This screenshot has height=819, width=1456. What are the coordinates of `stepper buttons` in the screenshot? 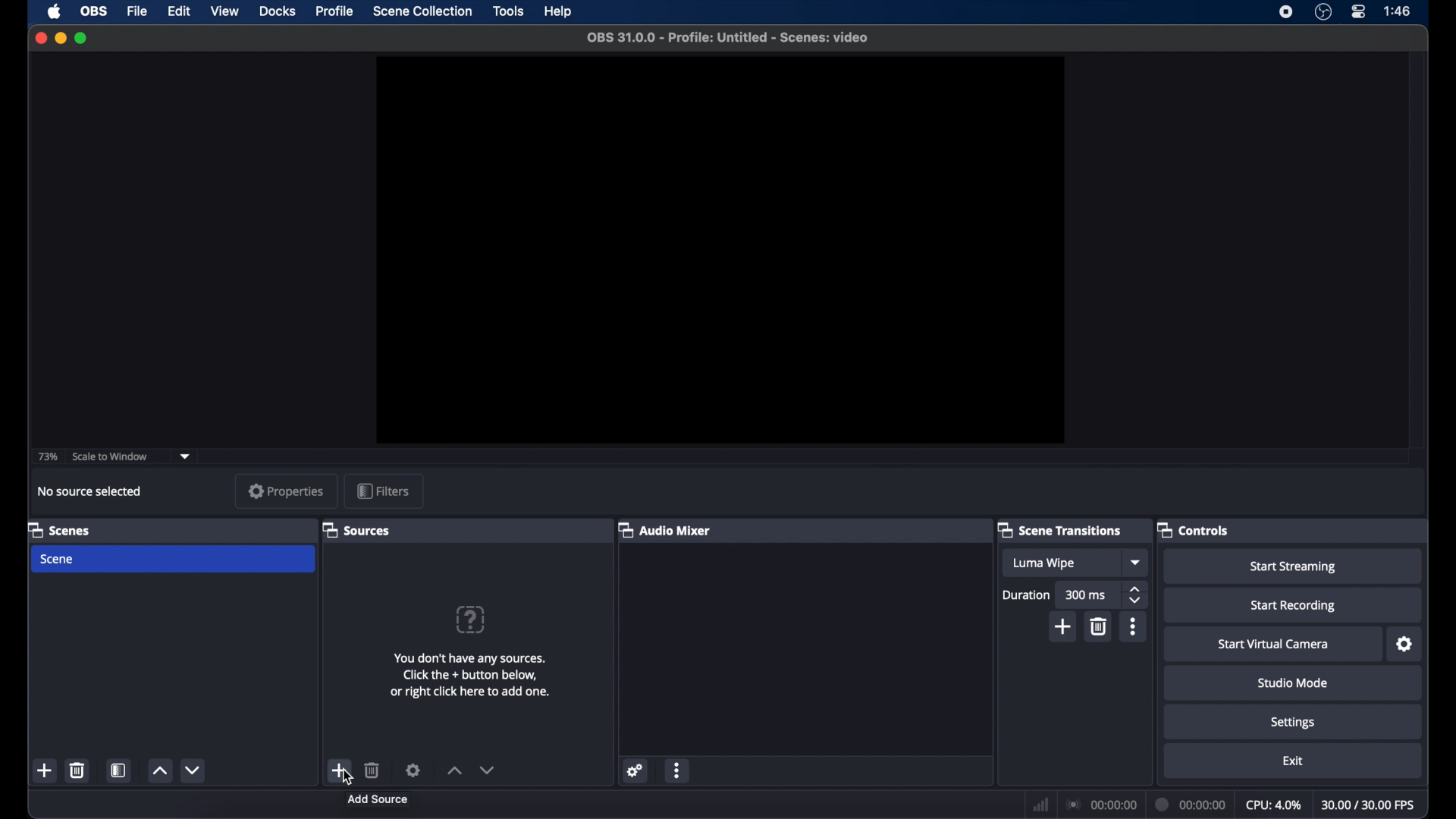 It's located at (1136, 595).